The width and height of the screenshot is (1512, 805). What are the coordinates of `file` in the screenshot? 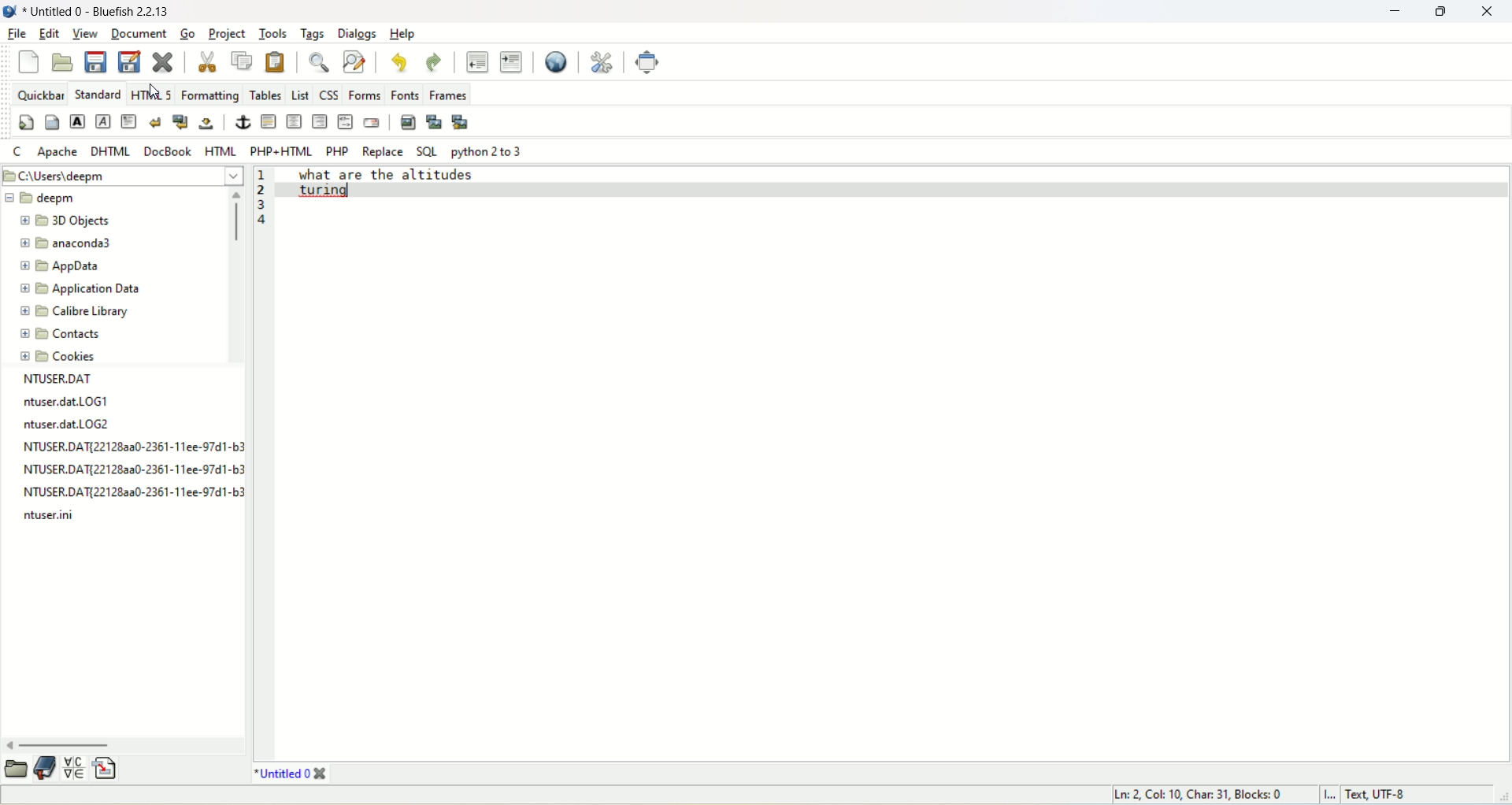 It's located at (17, 36).